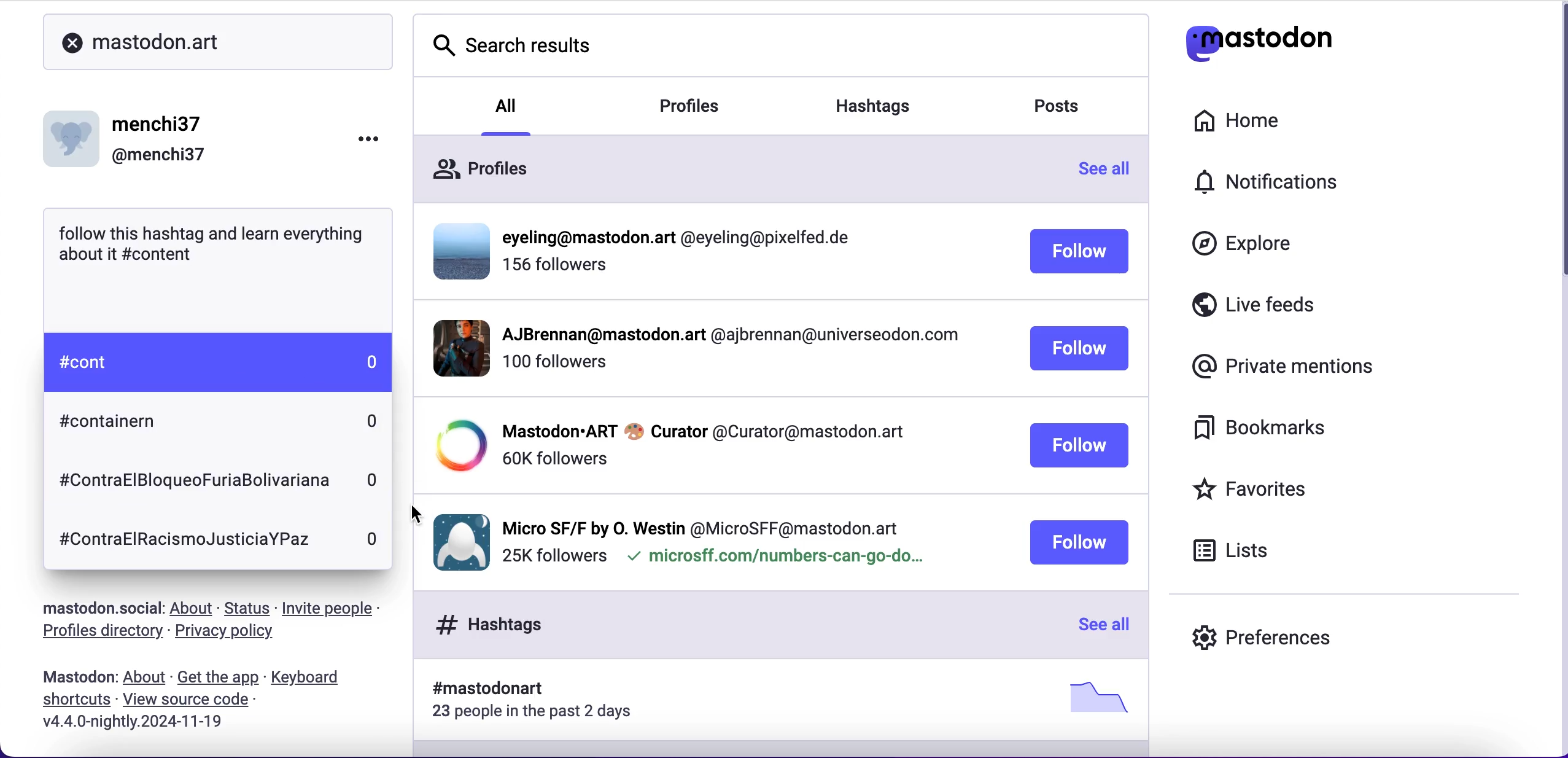 This screenshot has width=1568, height=758. I want to click on followers, so click(554, 368).